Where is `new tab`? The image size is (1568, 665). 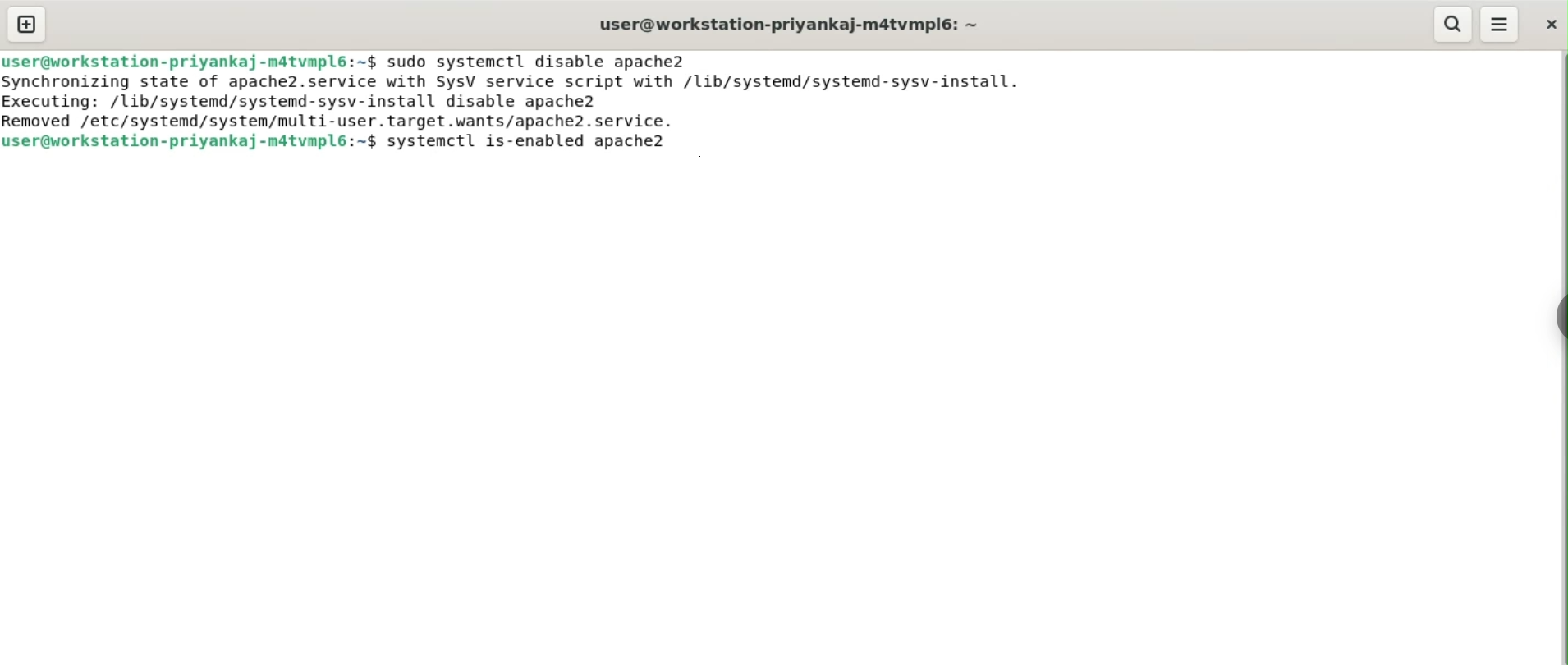
new tab is located at coordinates (28, 23).